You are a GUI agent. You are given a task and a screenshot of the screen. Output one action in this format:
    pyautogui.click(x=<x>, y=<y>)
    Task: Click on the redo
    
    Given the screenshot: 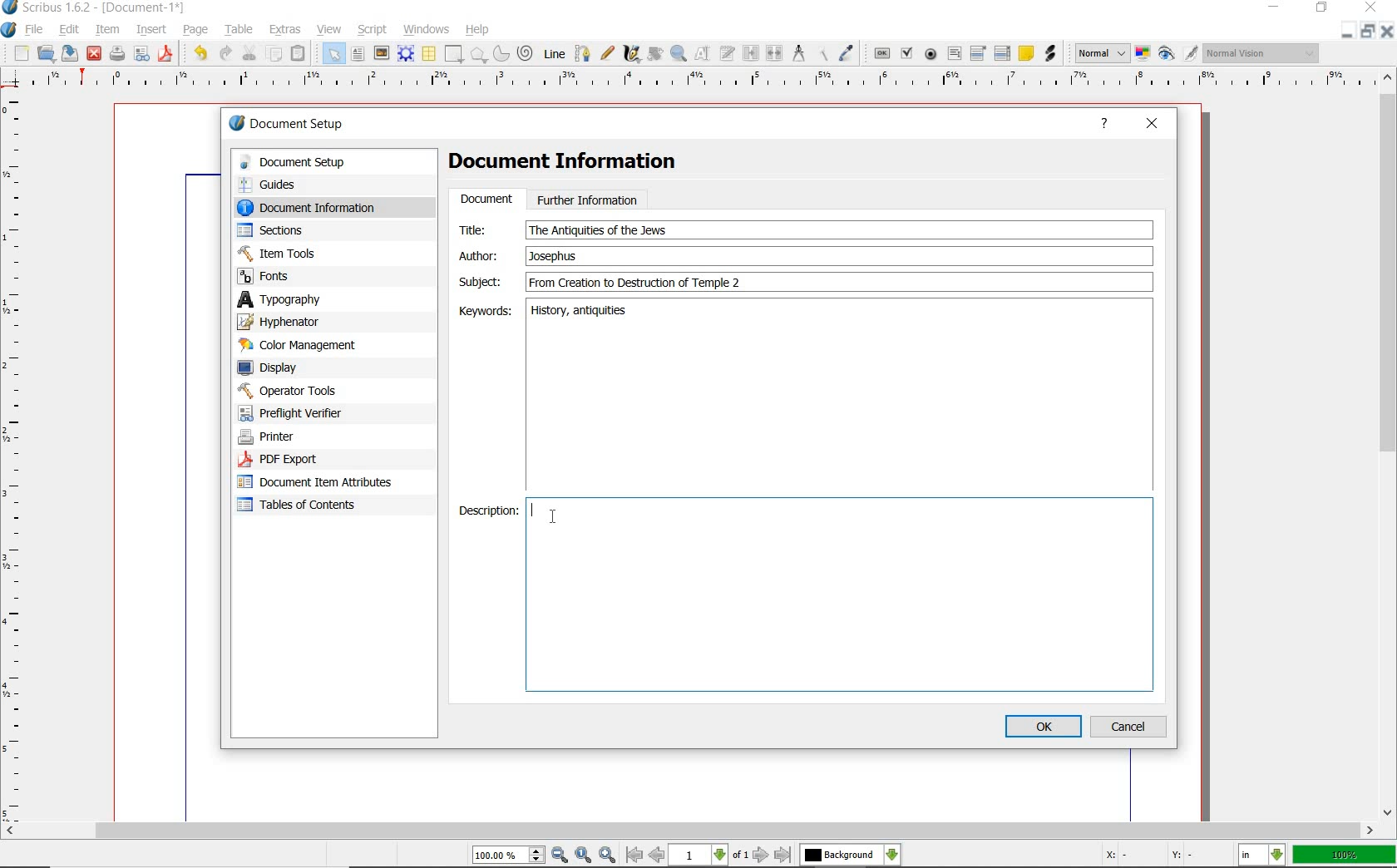 What is the action you would take?
    pyautogui.click(x=227, y=54)
    